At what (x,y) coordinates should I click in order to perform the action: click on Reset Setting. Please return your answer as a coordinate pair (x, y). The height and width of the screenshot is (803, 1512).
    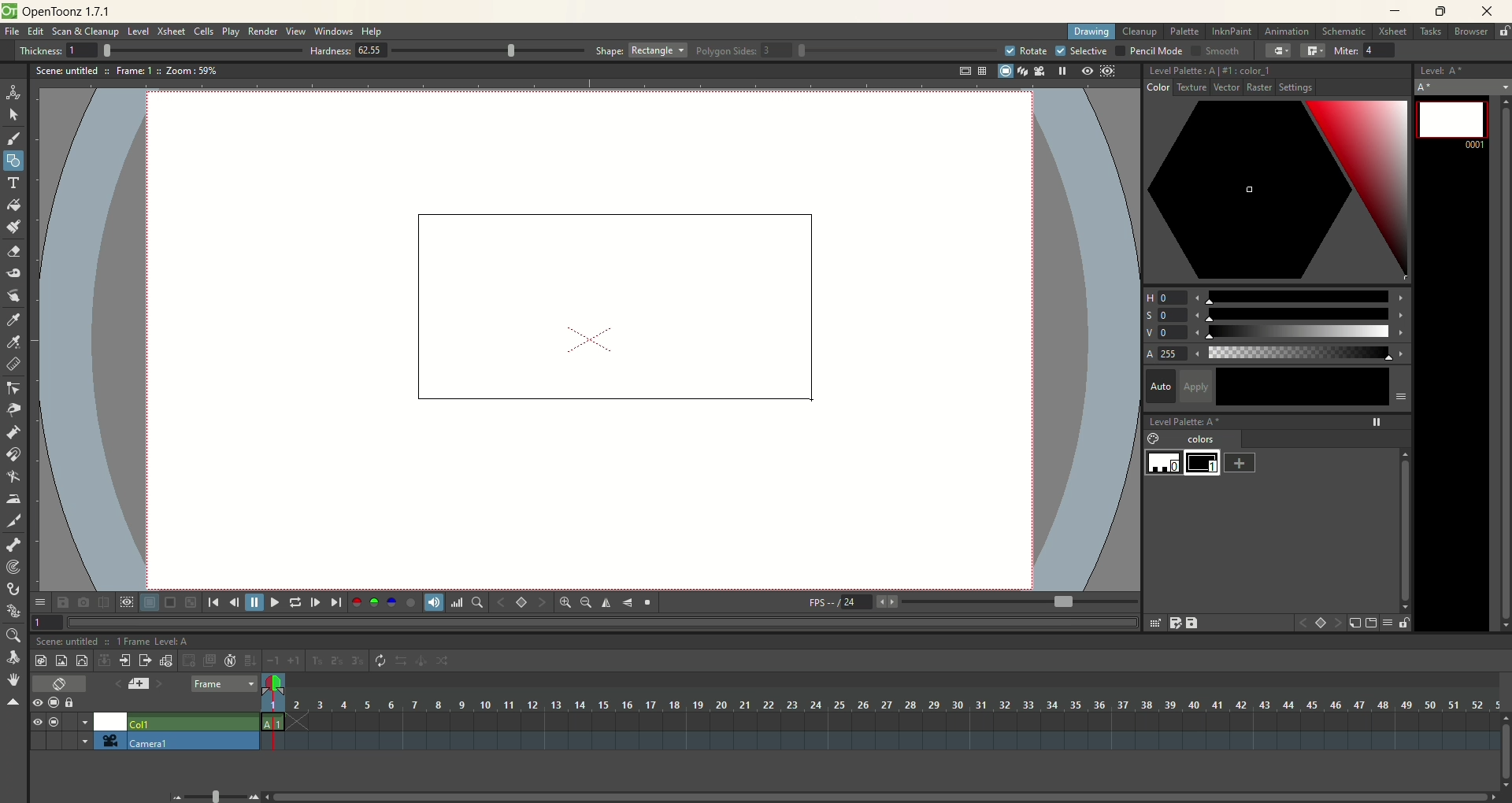
    Looking at the image, I should click on (1290, 90).